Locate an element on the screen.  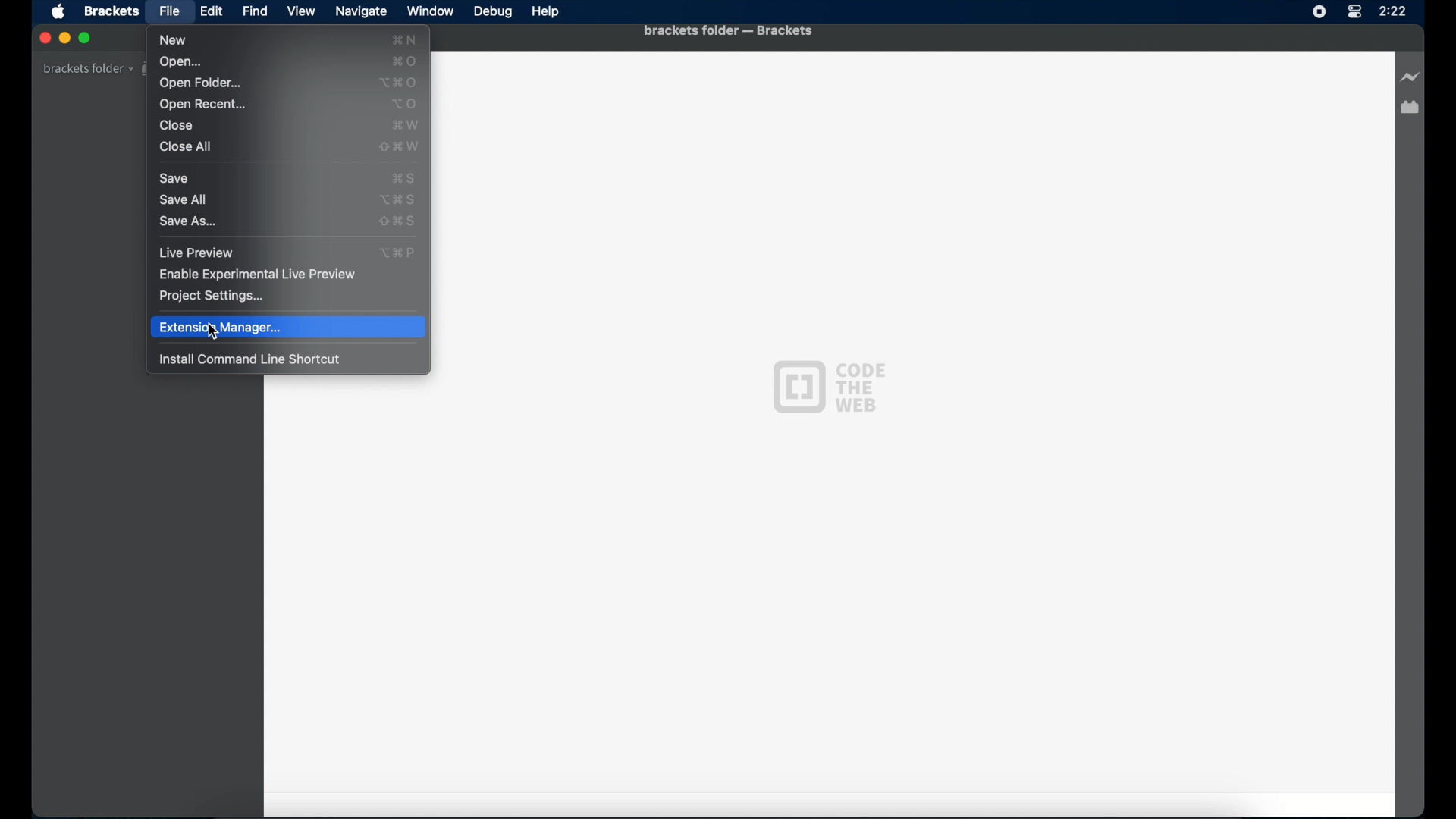
close shortcut is located at coordinates (406, 125).